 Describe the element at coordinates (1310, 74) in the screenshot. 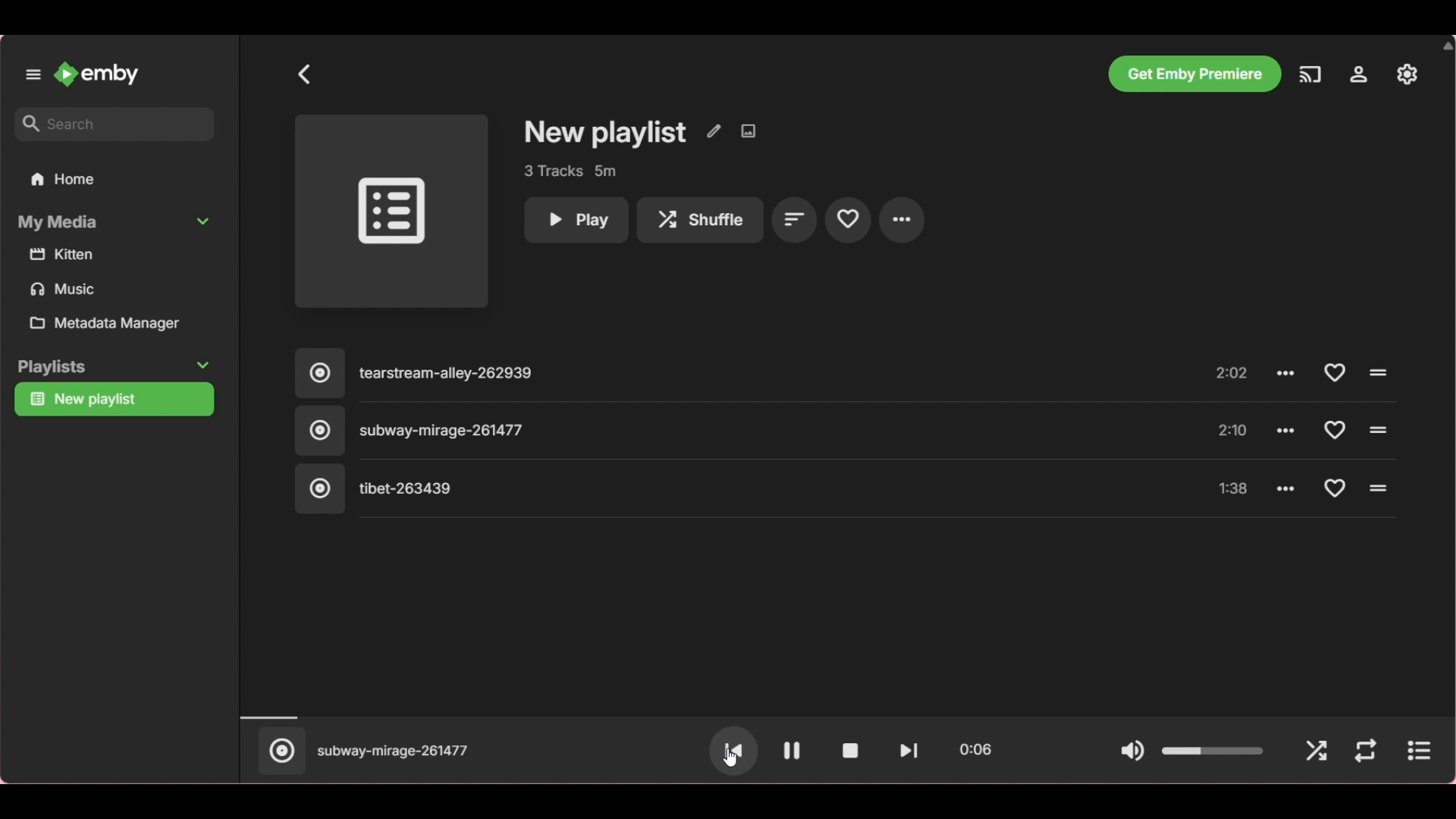

I see `Play on another device` at that location.